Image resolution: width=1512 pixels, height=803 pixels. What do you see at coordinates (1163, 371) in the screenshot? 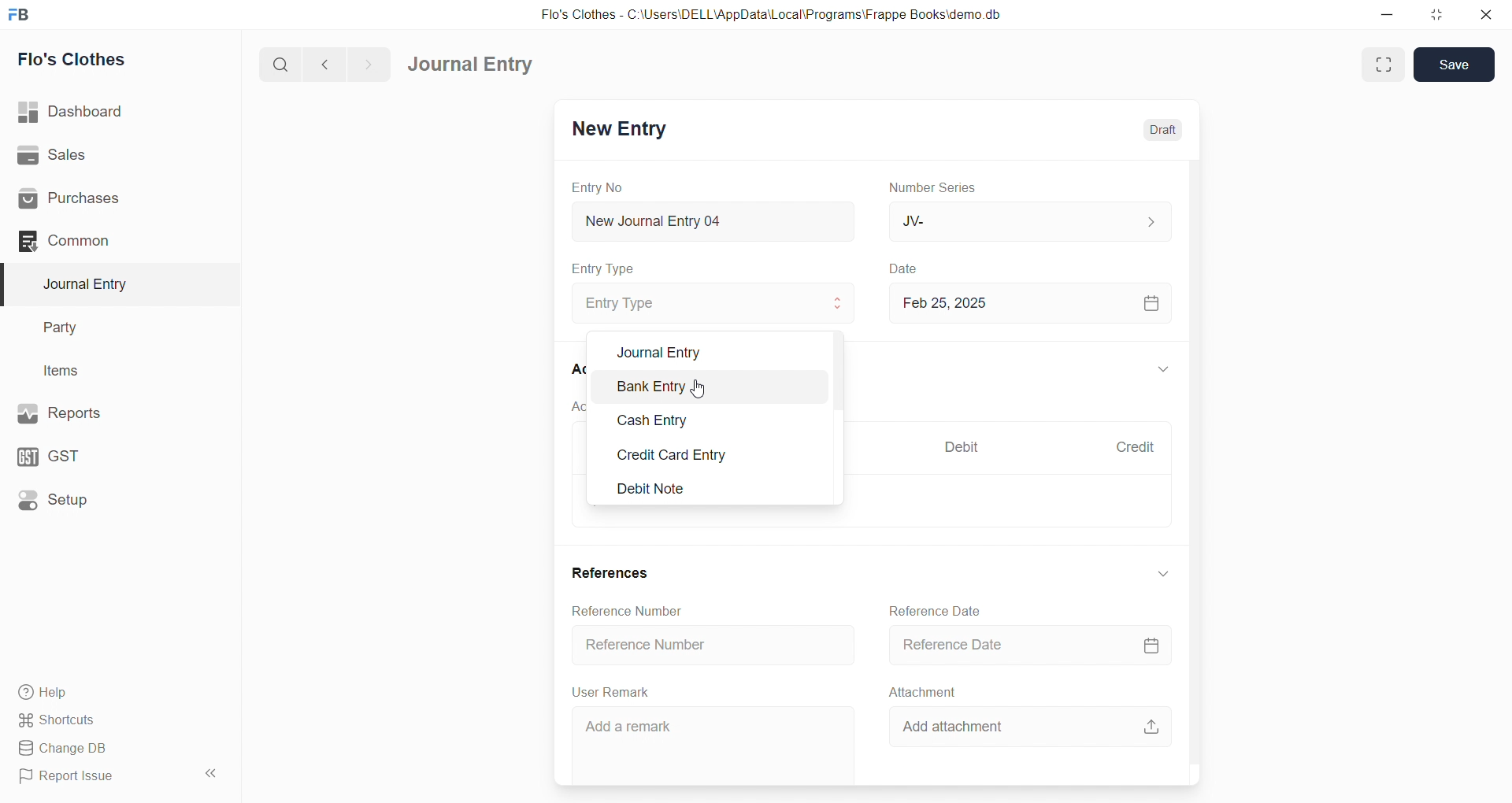
I see `Expand/Collapse` at bounding box center [1163, 371].